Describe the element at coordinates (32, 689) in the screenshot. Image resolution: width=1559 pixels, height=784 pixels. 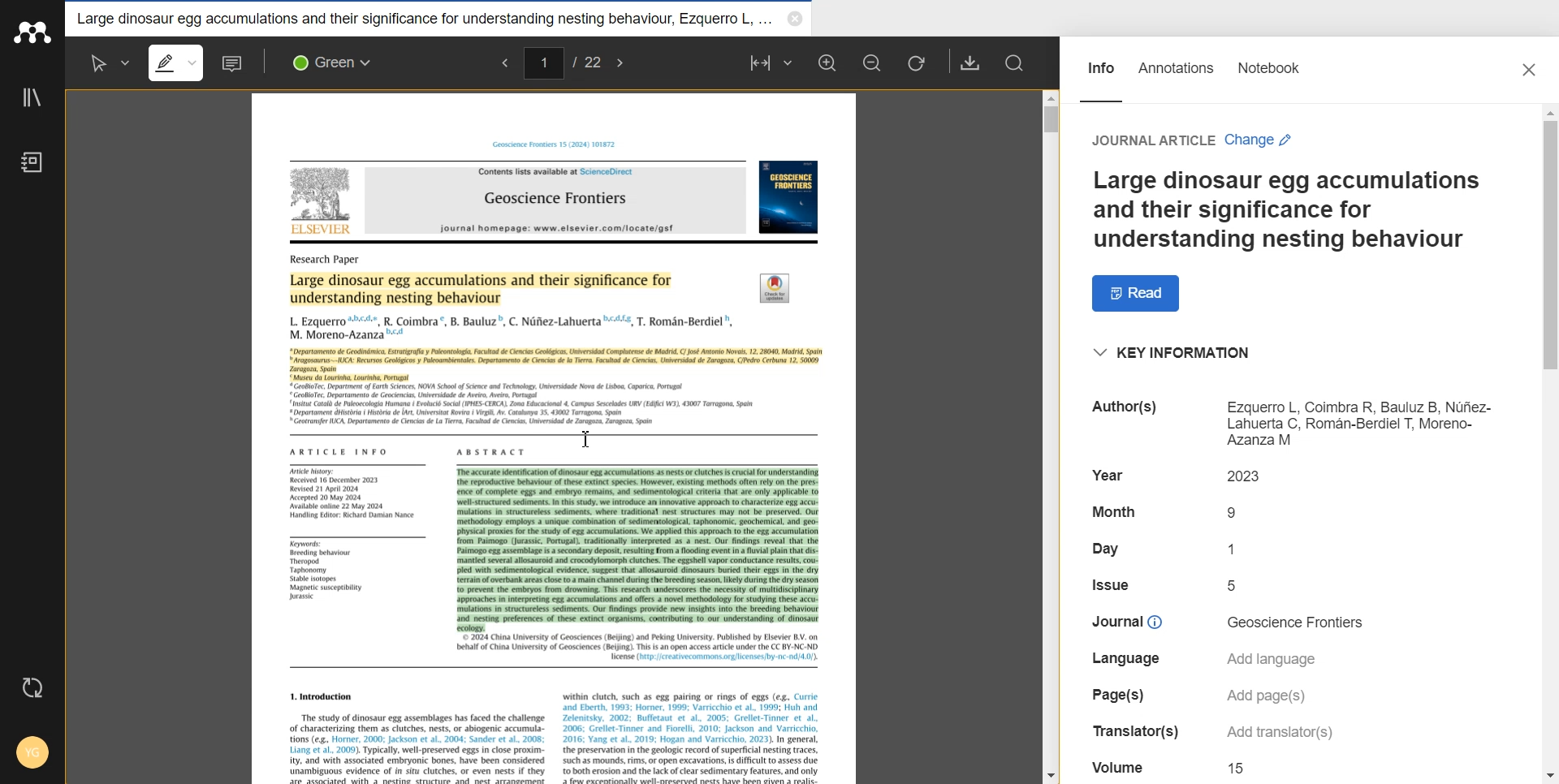
I see `Auto sync` at that location.